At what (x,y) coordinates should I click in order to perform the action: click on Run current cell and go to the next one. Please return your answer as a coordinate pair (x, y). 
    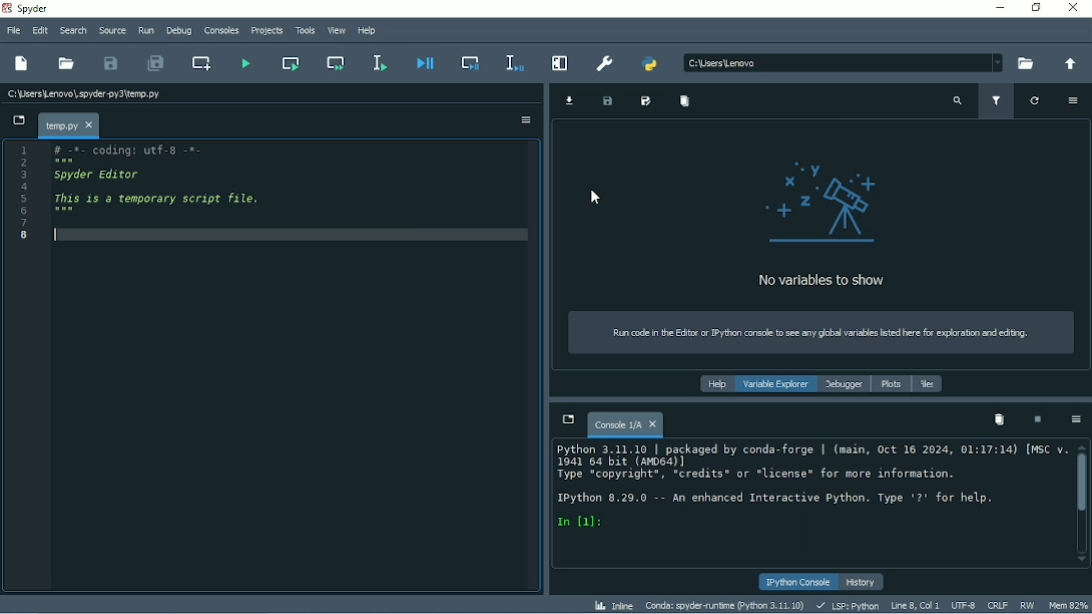
    Looking at the image, I should click on (336, 62).